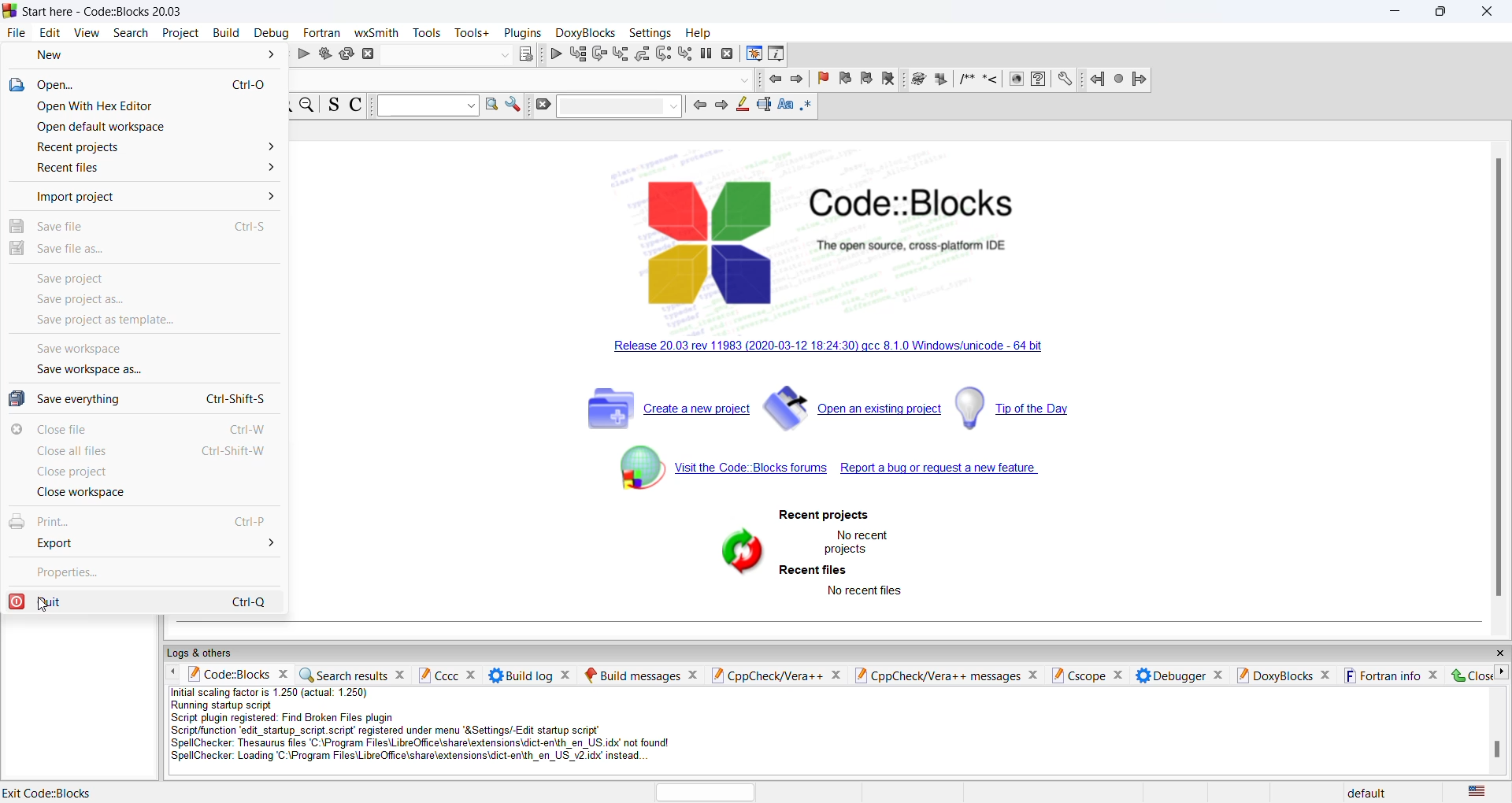  I want to click on open an existing project, so click(851, 406).